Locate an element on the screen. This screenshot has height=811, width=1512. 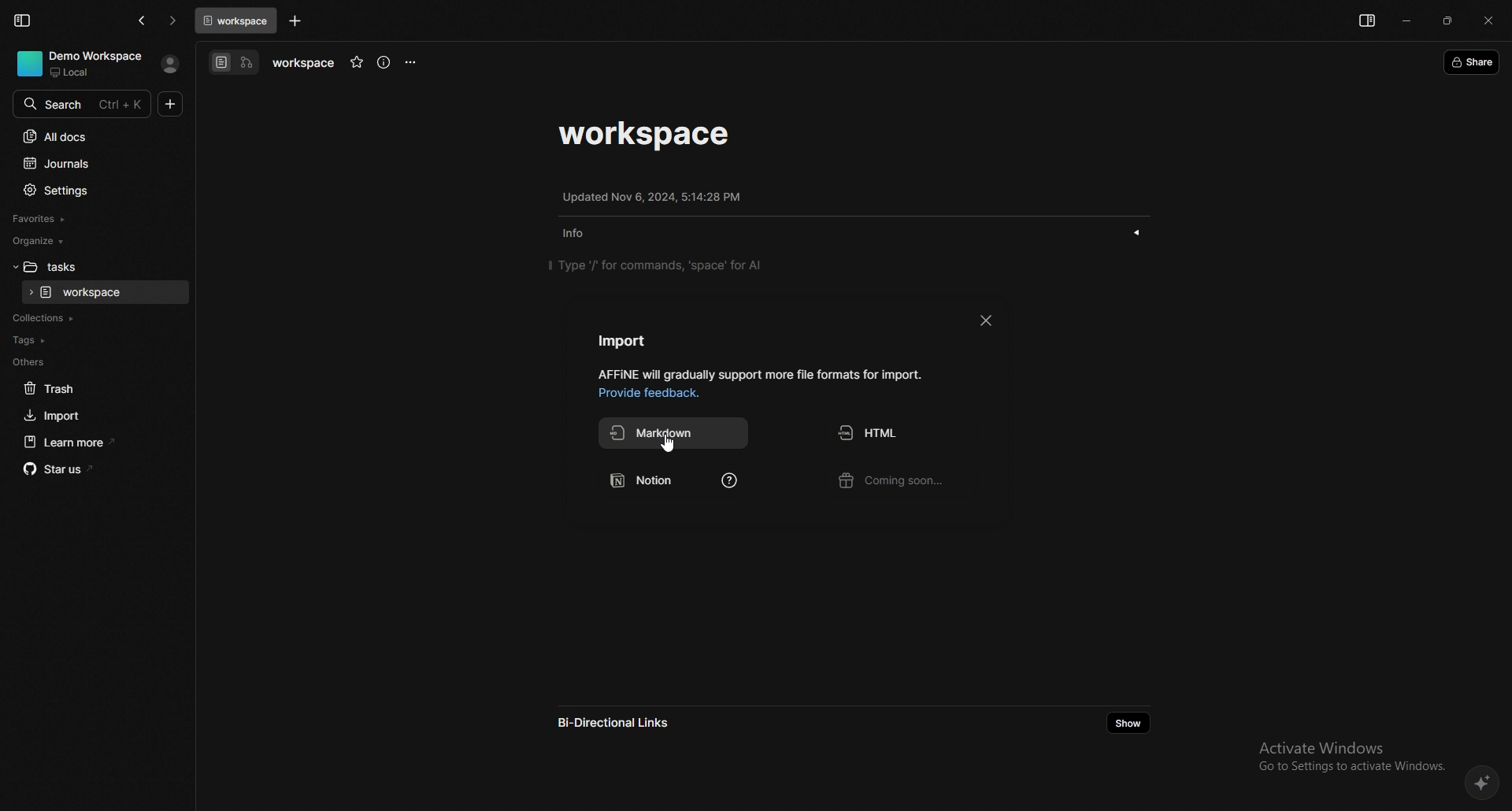
others is located at coordinates (89, 362).